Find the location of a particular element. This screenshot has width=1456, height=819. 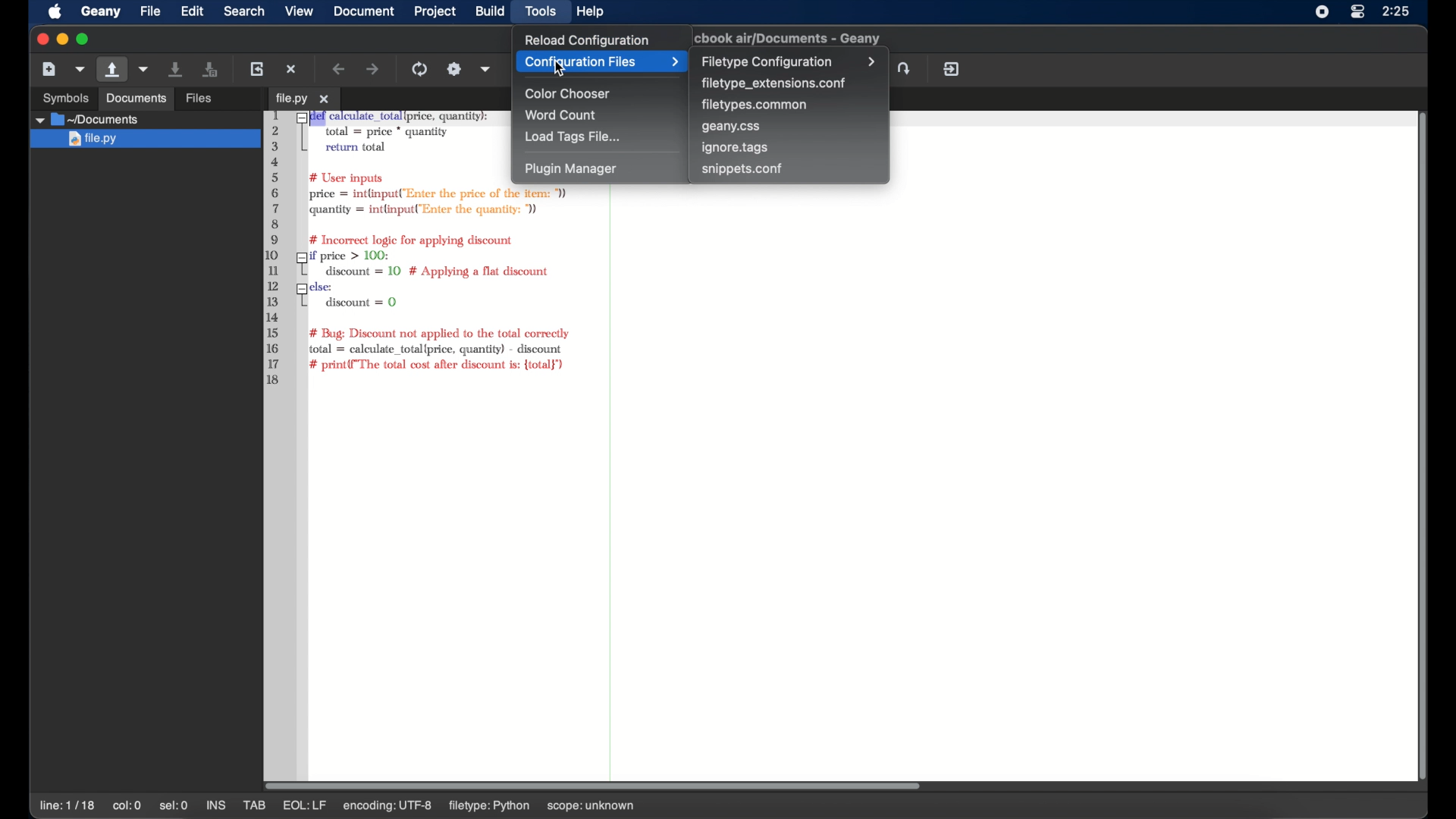

document is located at coordinates (362, 11).